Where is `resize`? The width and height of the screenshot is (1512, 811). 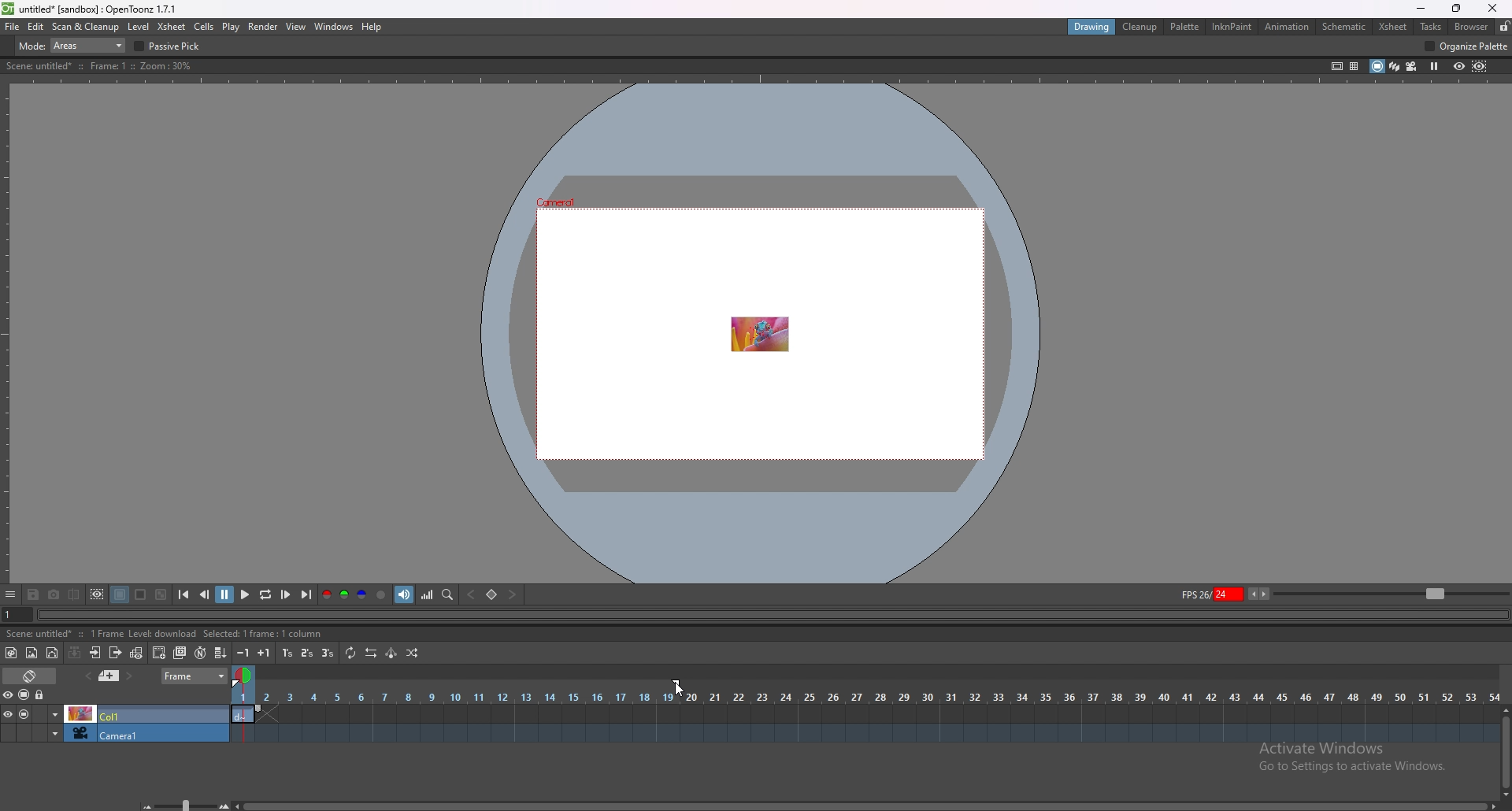
resize is located at coordinates (1456, 9).